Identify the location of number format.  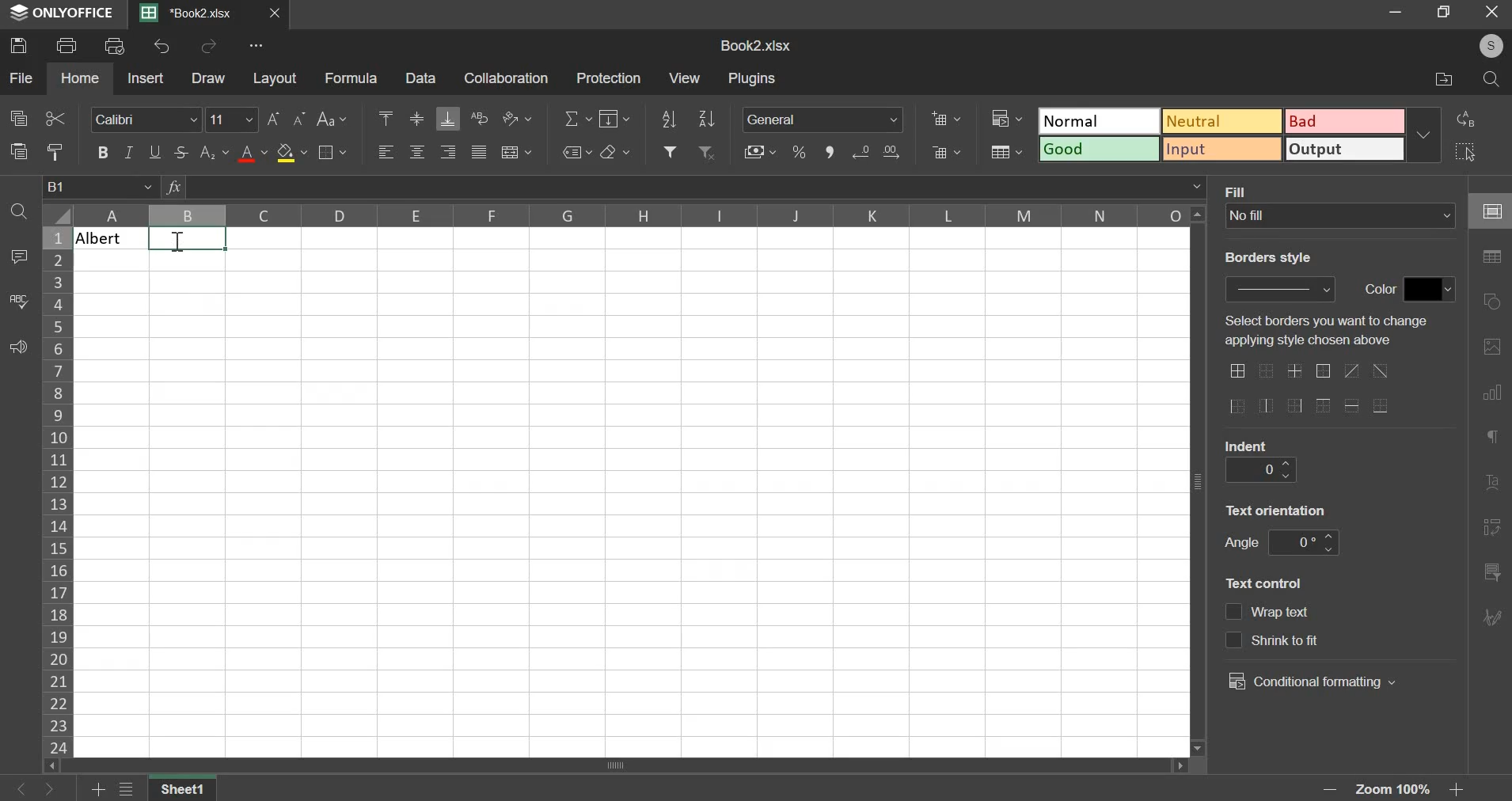
(823, 118).